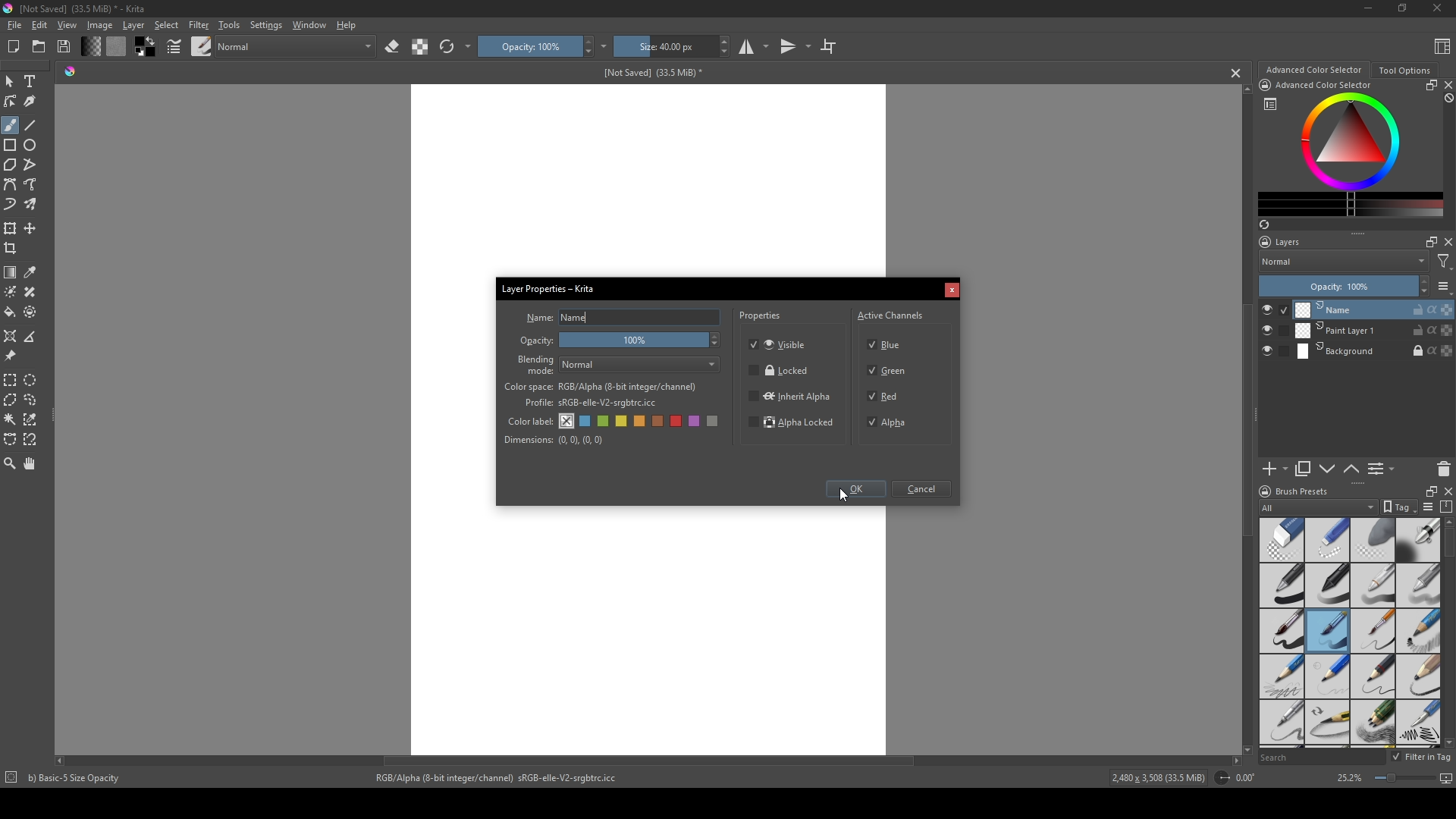  What do you see at coordinates (1423, 281) in the screenshot?
I see `increase` at bounding box center [1423, 281].